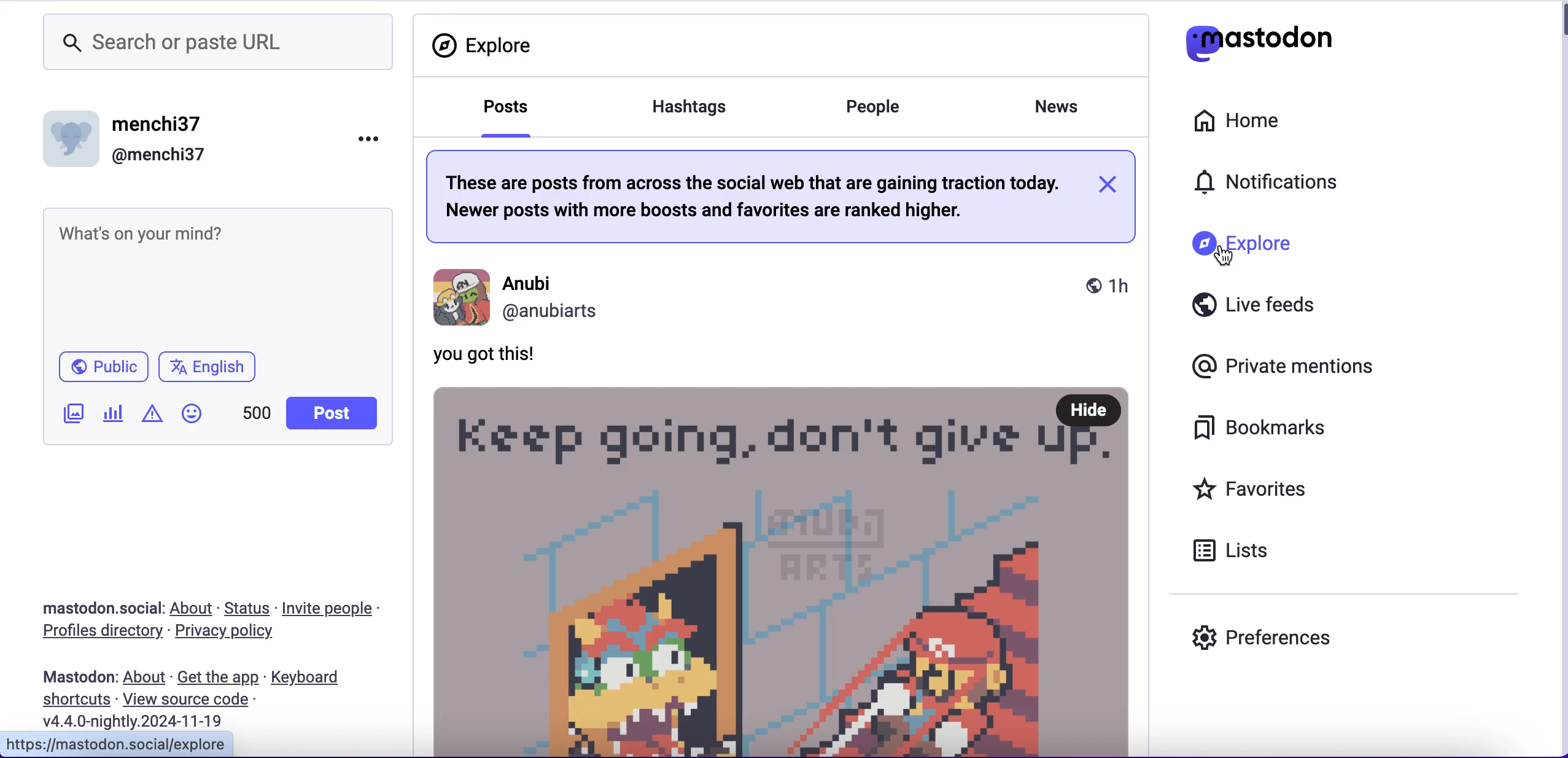 The width and height of the screenshot is (1568, 758). I want to click on 1h, so click(1103, 287).